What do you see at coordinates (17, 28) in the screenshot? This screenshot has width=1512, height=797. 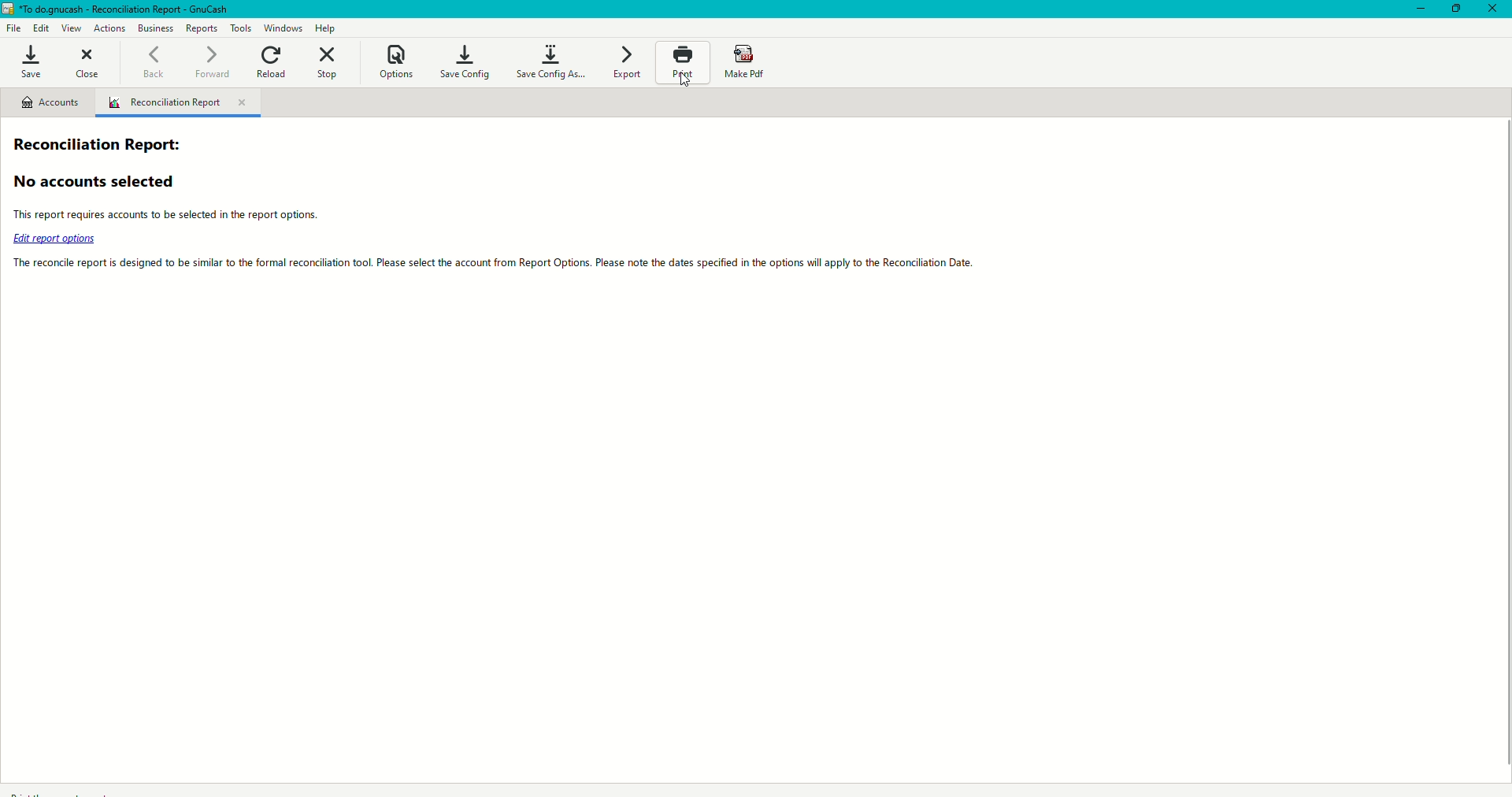 I see `File` at bounding box center [17, 28].